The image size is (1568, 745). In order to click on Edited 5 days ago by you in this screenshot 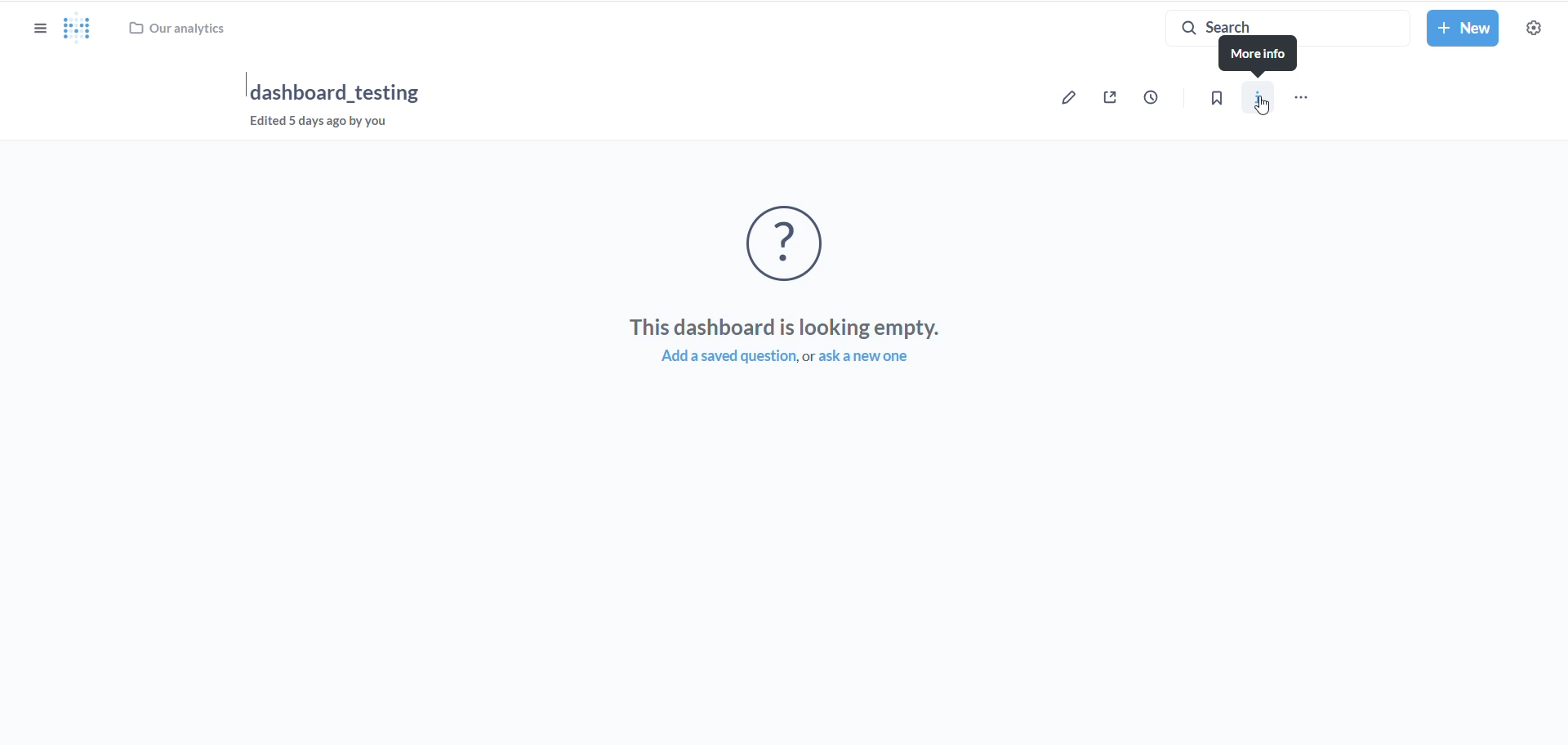, I will do `click(327, 126)`.